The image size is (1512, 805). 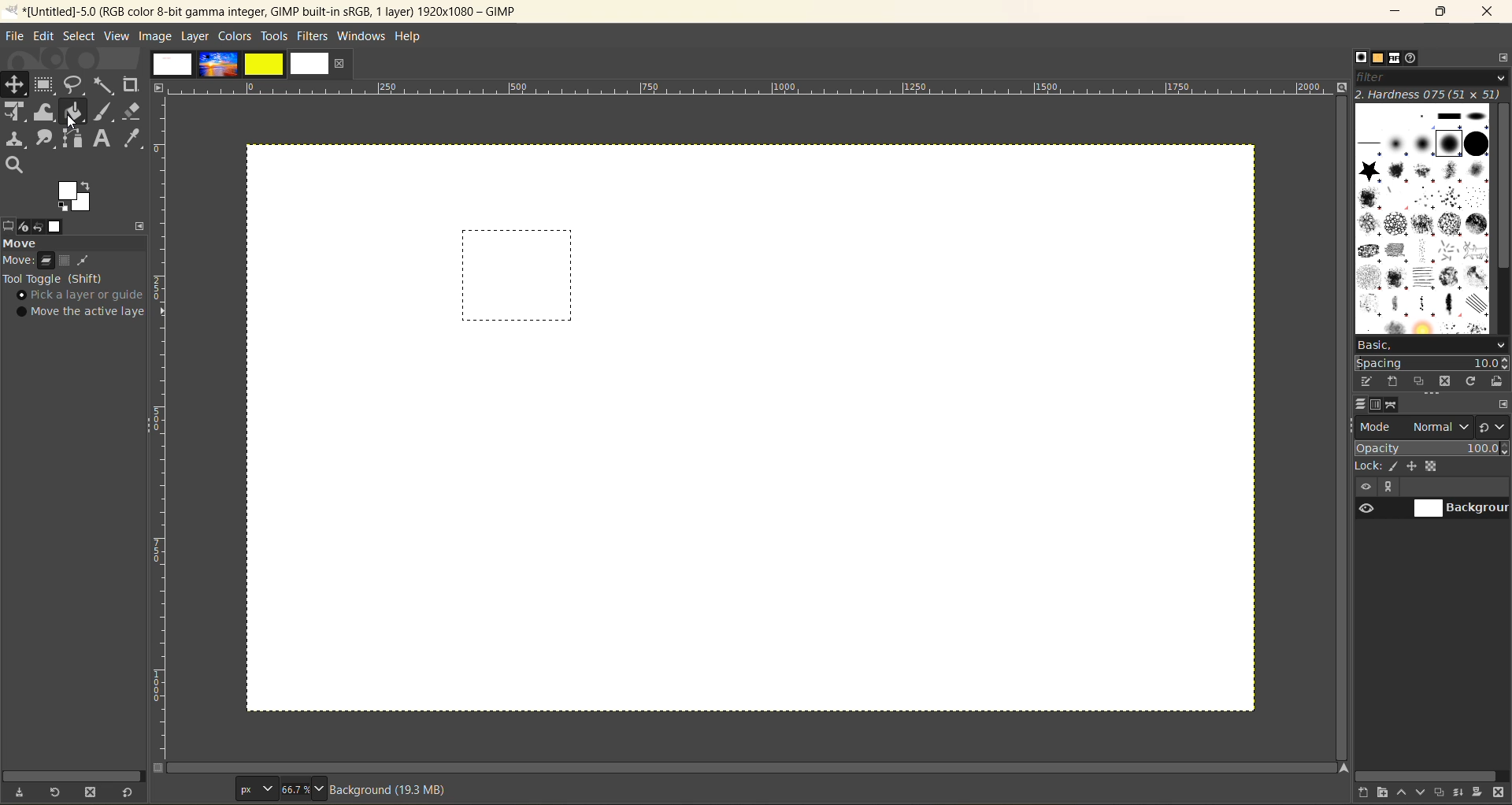 I want to click on configure, so click(x=135, y=227).